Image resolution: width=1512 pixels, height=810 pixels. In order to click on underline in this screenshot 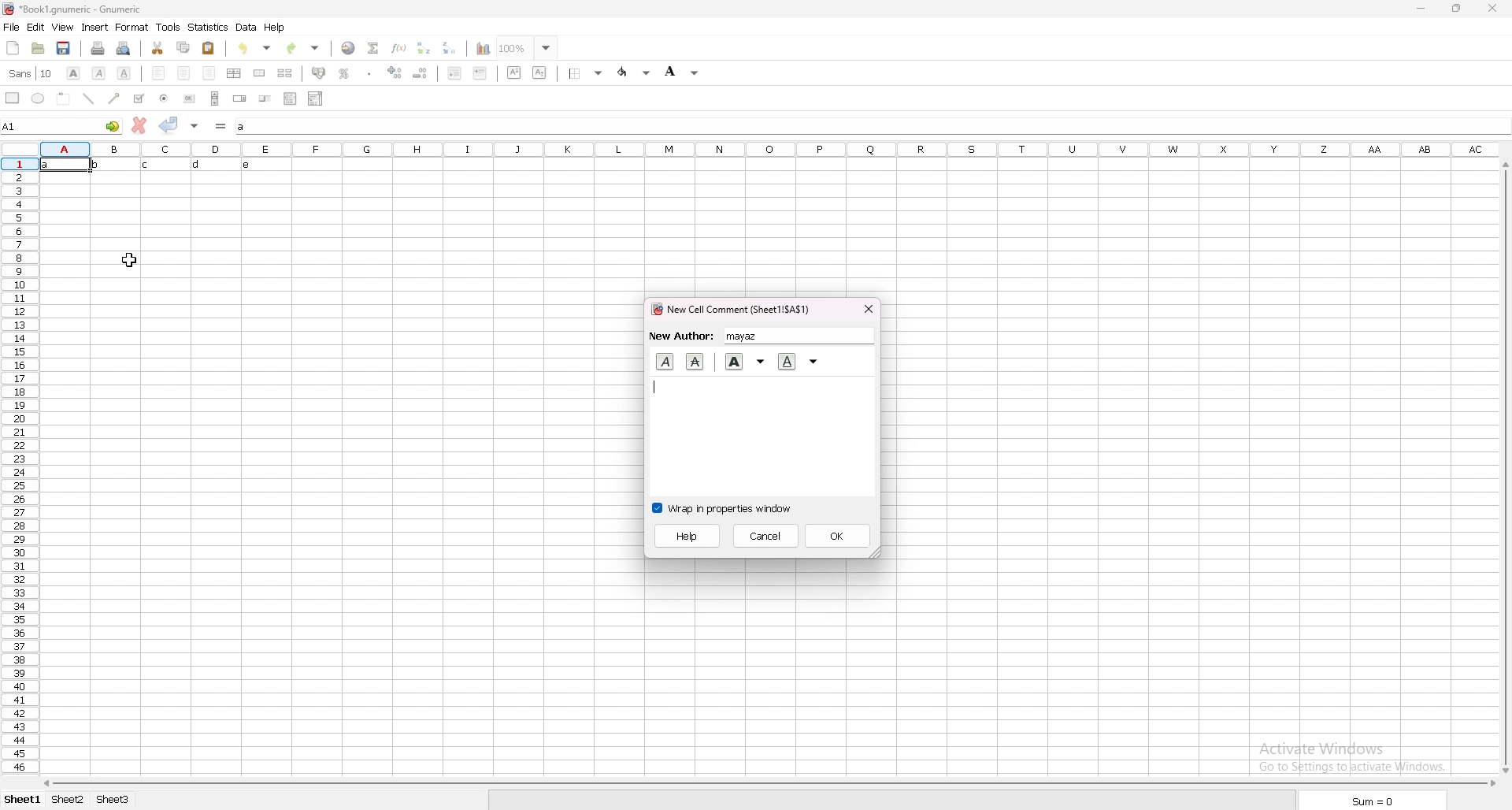, I will do `click(800, 361)`.